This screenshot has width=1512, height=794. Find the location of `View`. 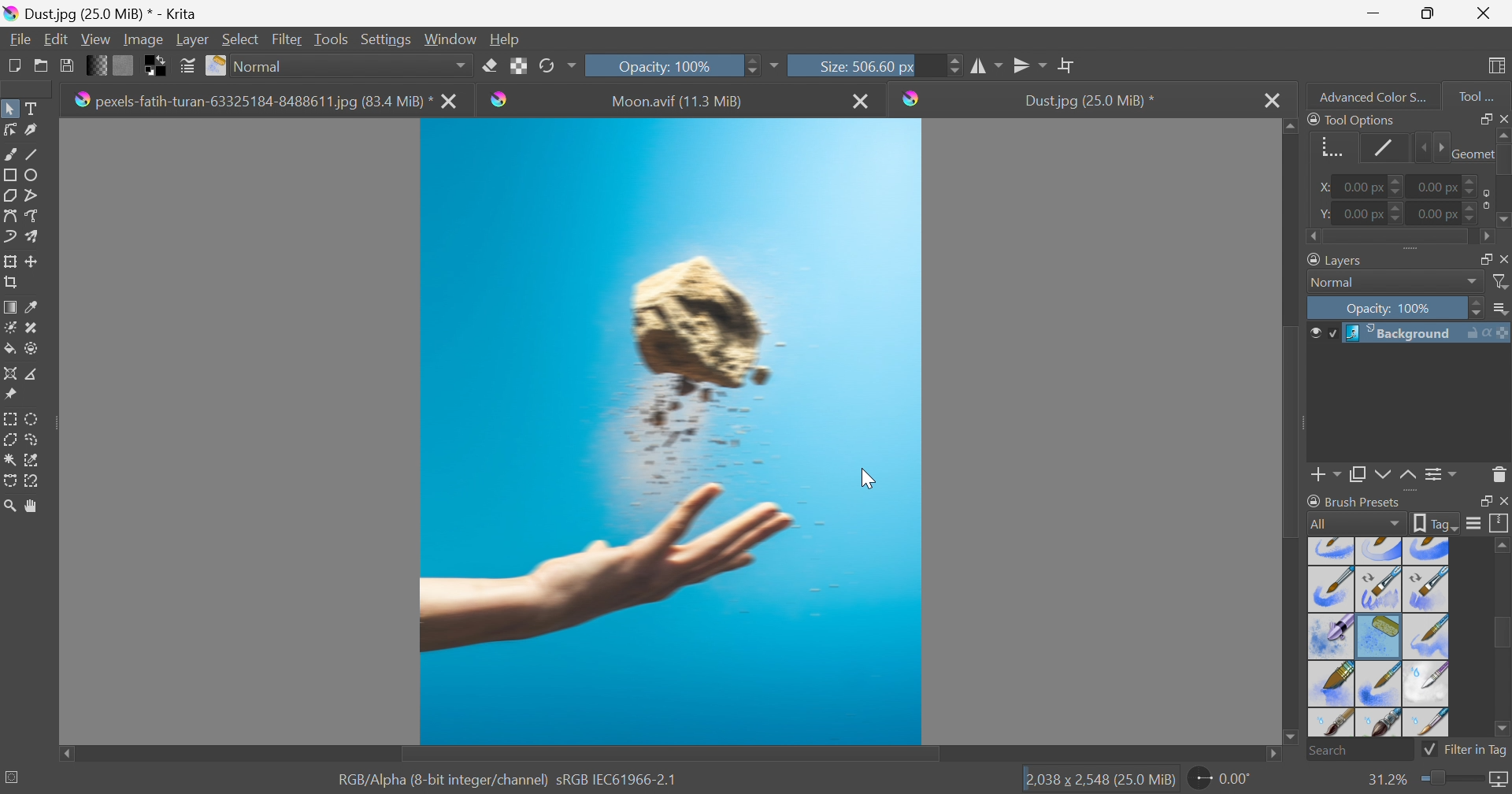

View is located at coordinates (95, 37).